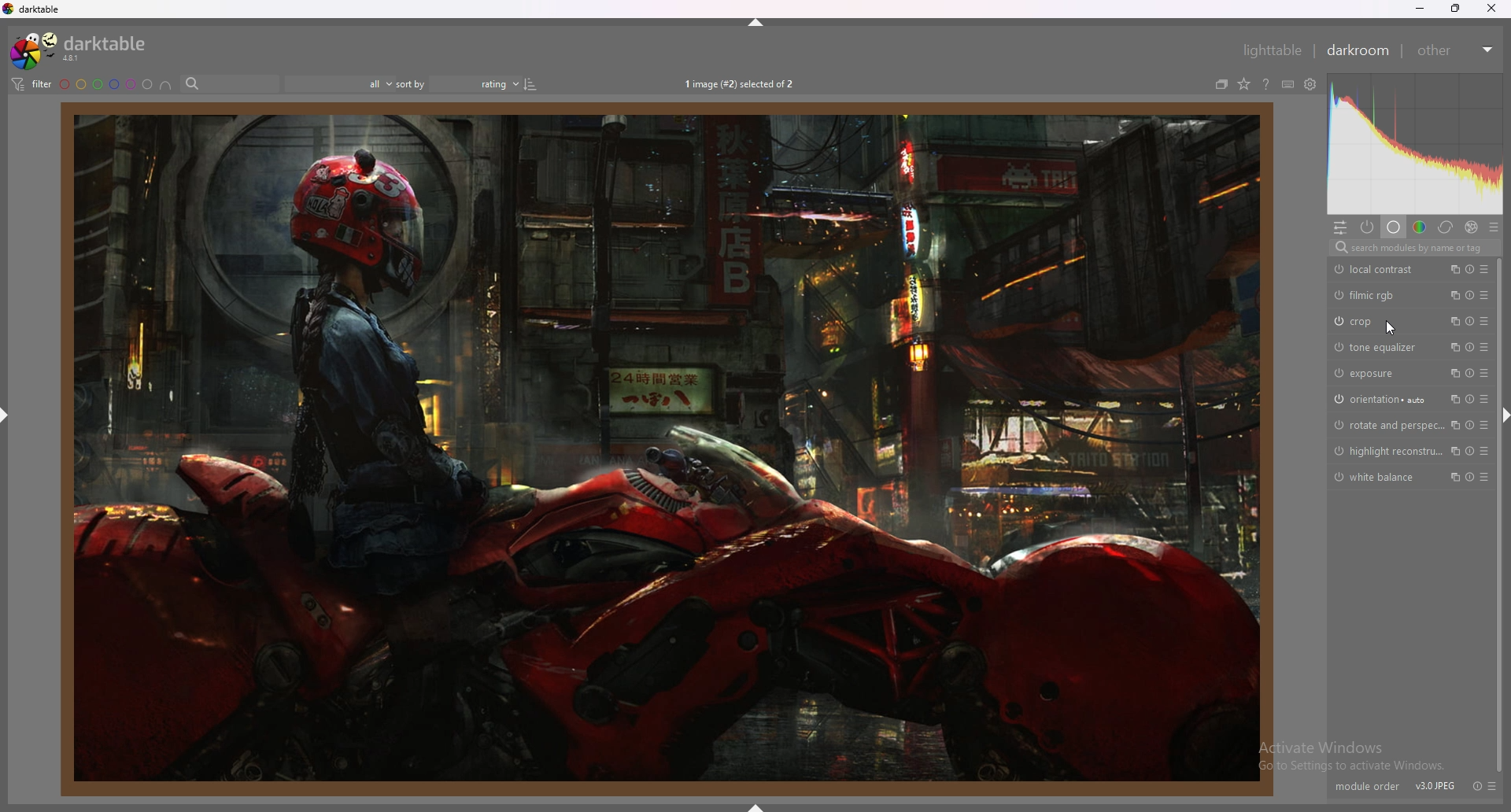 The height and width of the screenshot is (812, 1511). What do you see at coordinates (1479, 785) in the screenshot?
I see `reset` at bounding box center [1479, 785].